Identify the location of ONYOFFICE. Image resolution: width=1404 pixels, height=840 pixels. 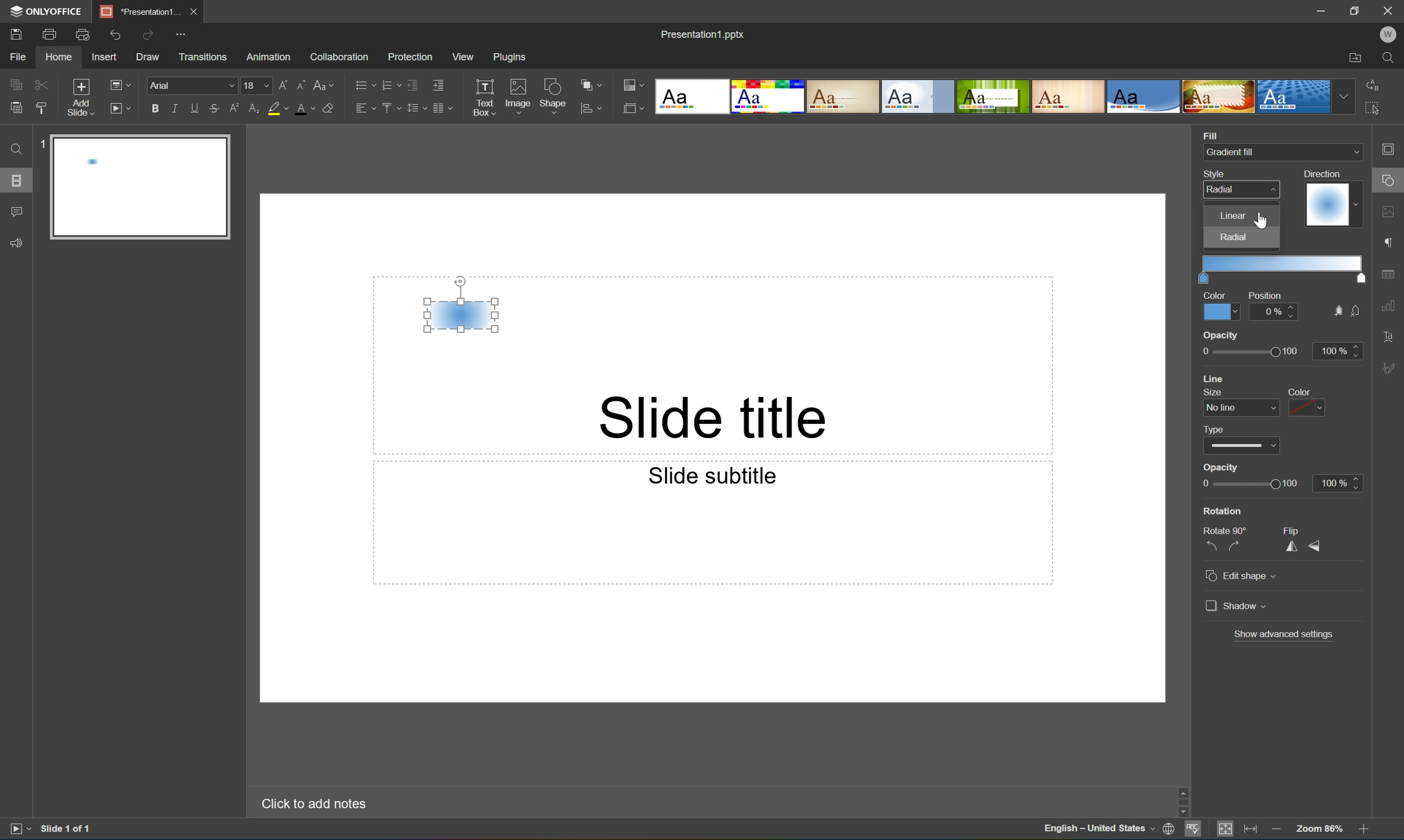
(44, 11).